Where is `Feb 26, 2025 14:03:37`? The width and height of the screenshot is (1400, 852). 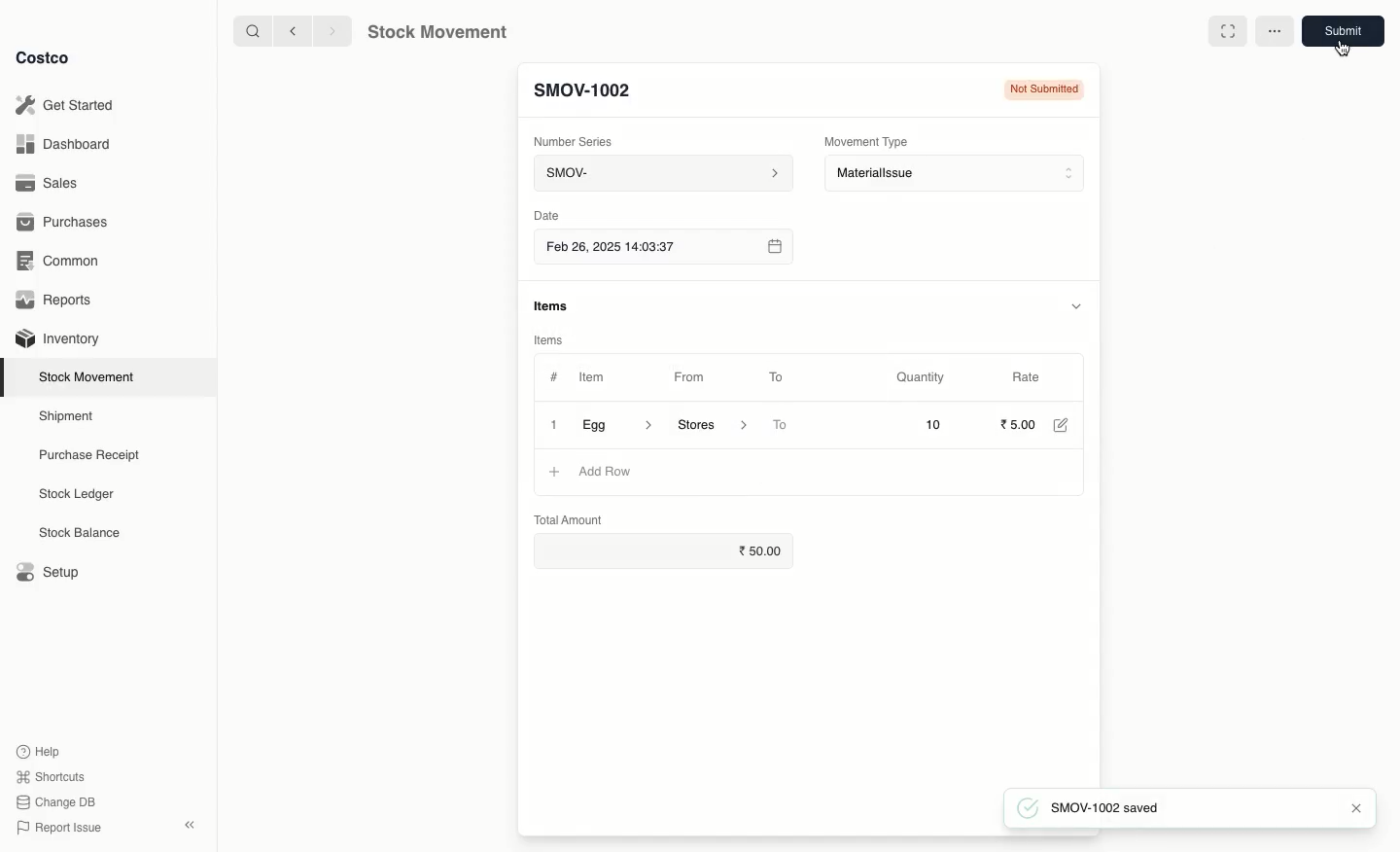 Feb 26, 2025 14:03:37 is located at coordinates (662, 248).